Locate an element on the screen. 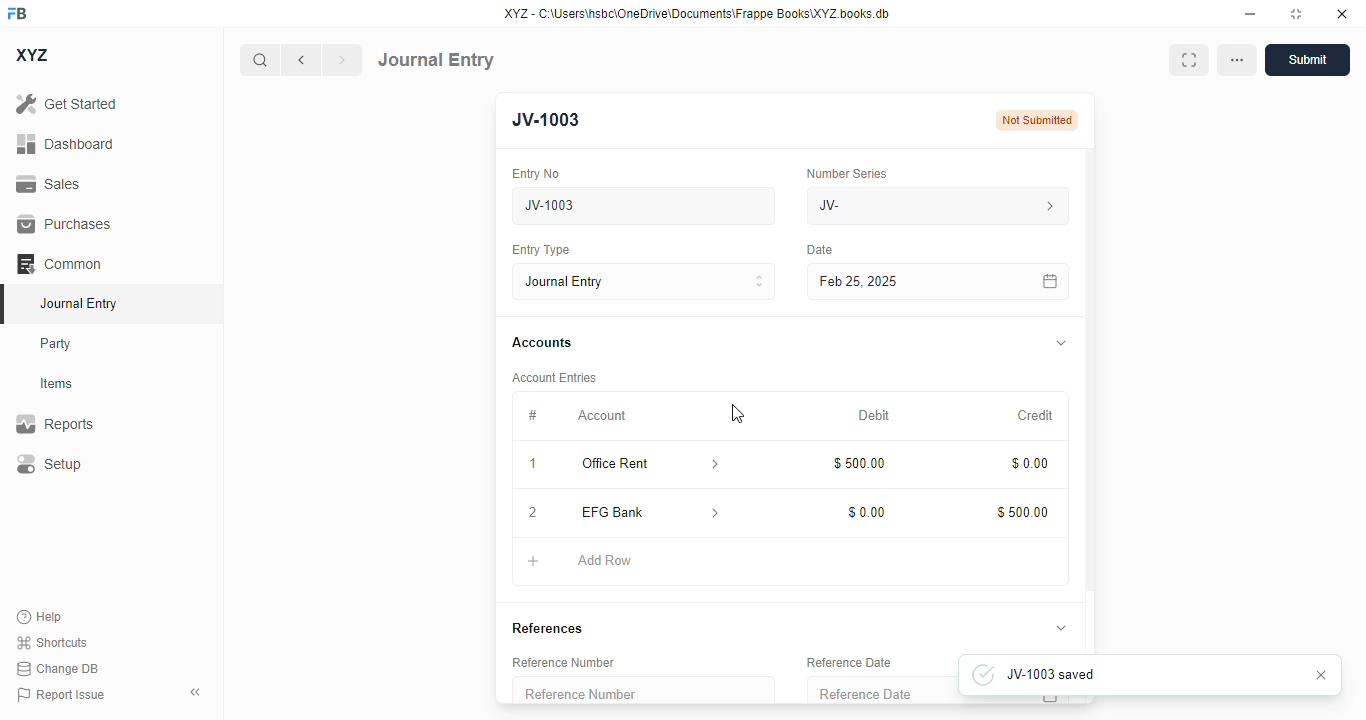 Image resolution: width=1366 pixels, height=720 pixels. office rent is located at coordinates (631, 464).